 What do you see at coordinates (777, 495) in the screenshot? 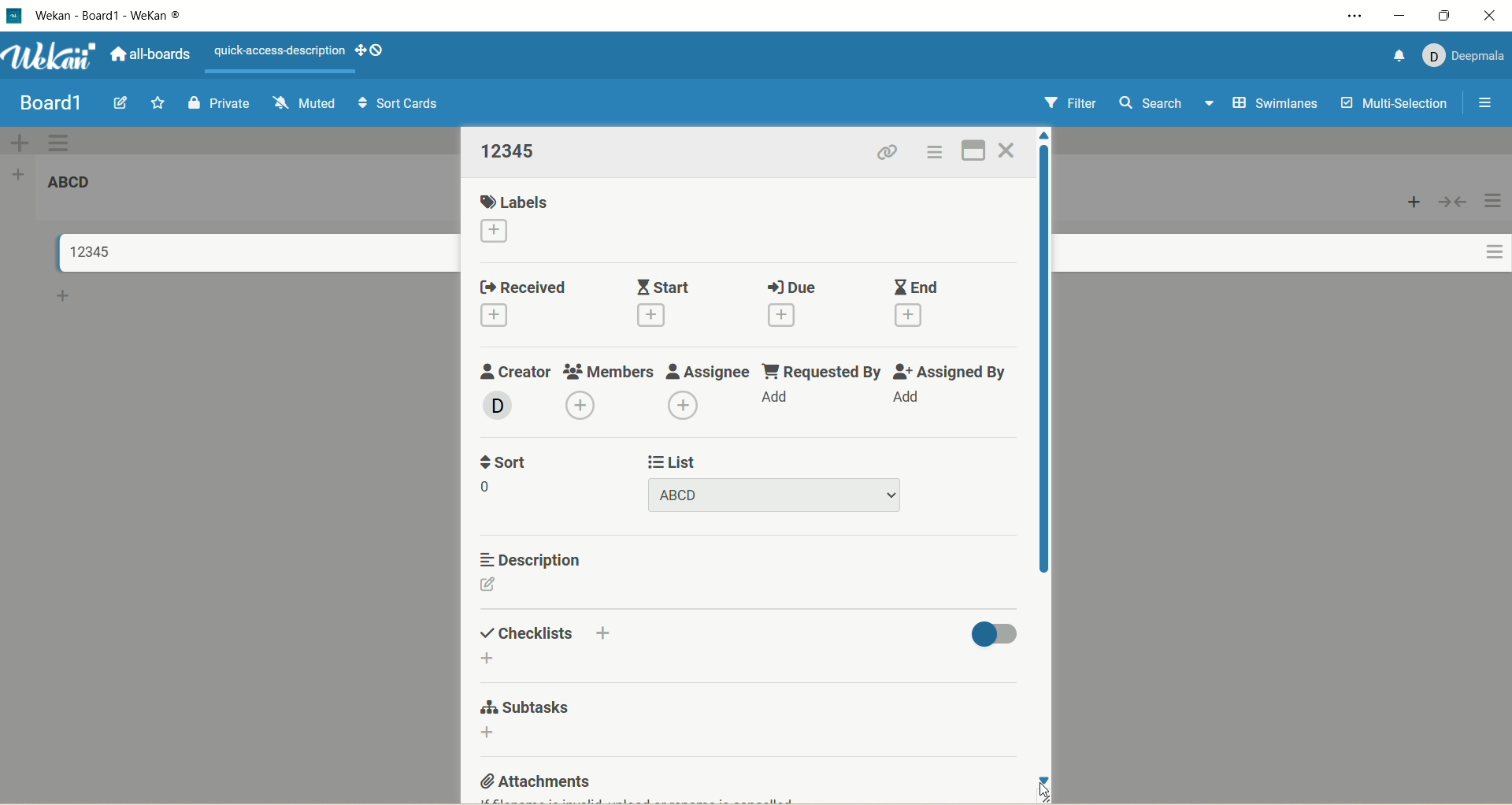
I see `title` at bounding box center [777, 495].